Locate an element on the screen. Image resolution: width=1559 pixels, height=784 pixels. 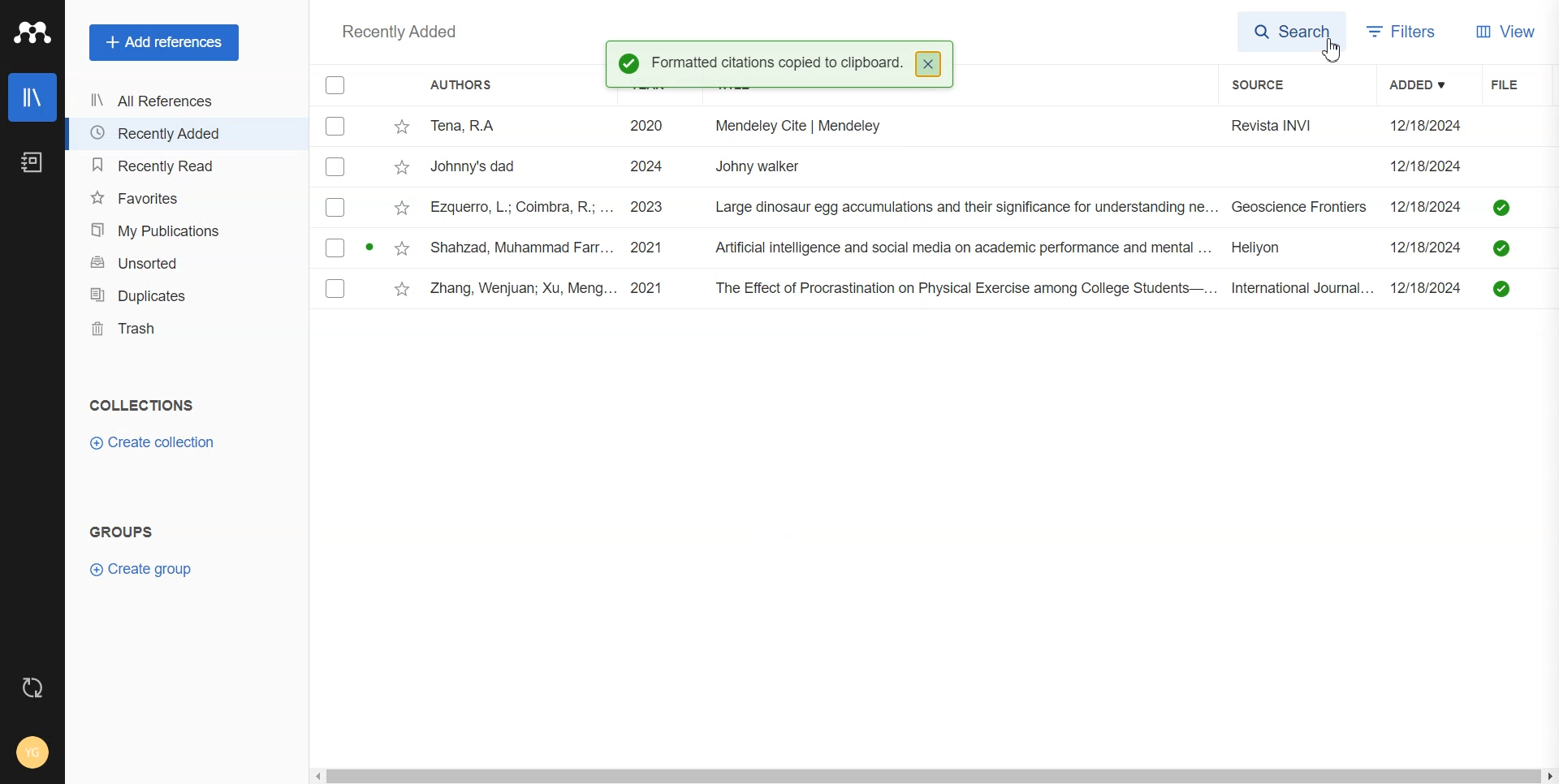
12/18/2024 is located at coordinates (1427, 126).